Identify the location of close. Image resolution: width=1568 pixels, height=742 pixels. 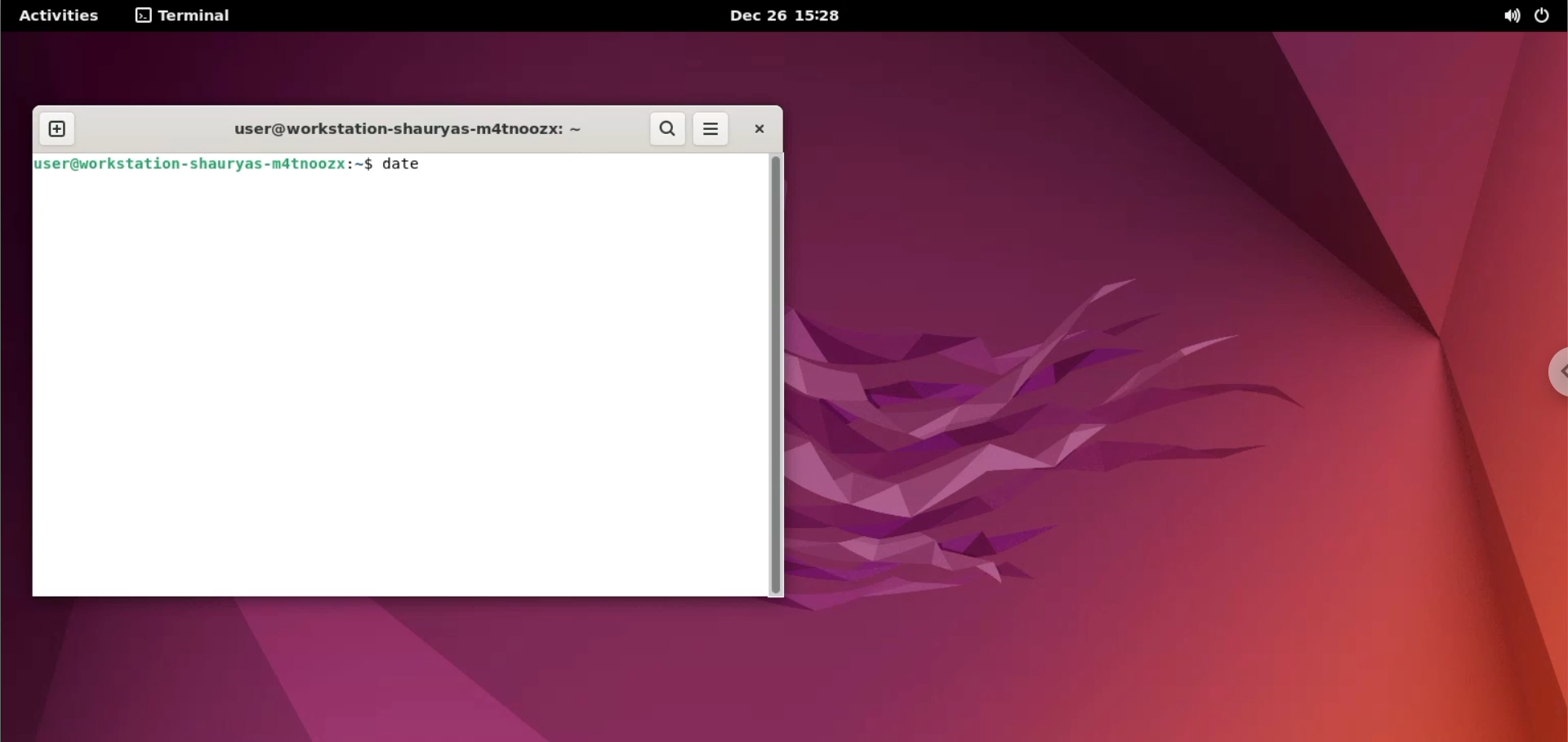
(763, 127).